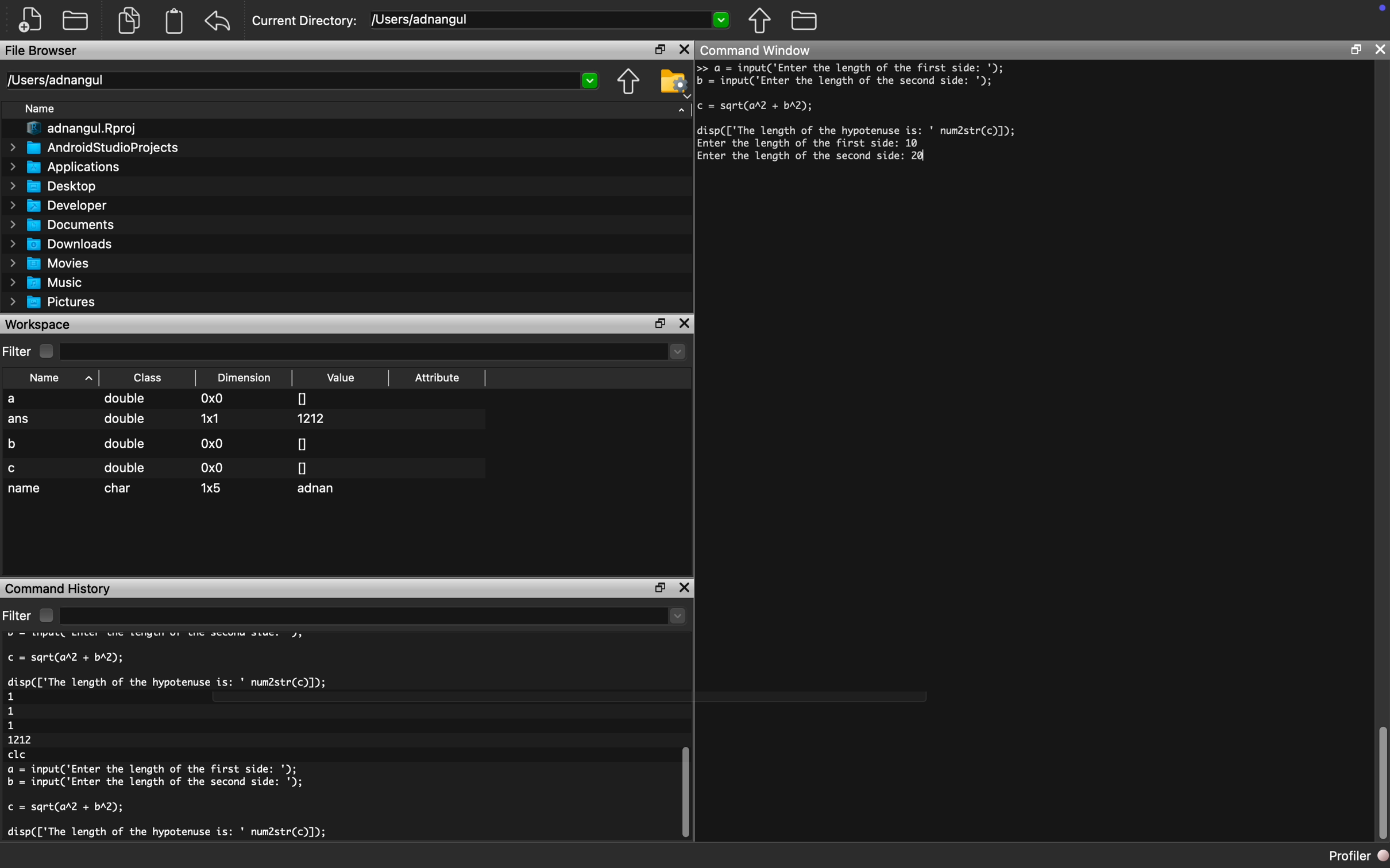  Describe the element at coordinates (51, 263) in the screenshot. I see ` Movies` at that location.